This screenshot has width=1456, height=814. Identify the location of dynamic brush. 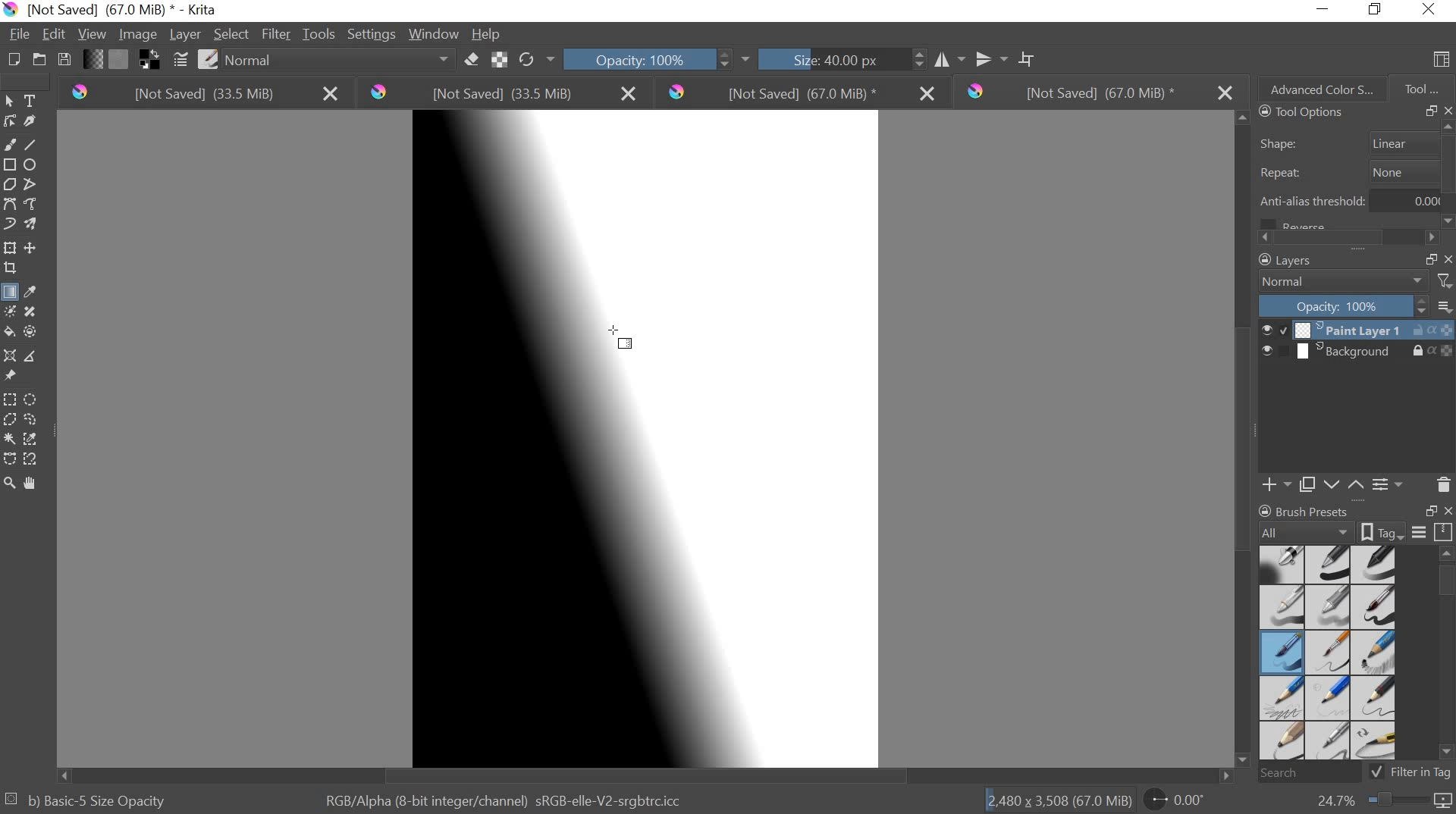
(9, 223).